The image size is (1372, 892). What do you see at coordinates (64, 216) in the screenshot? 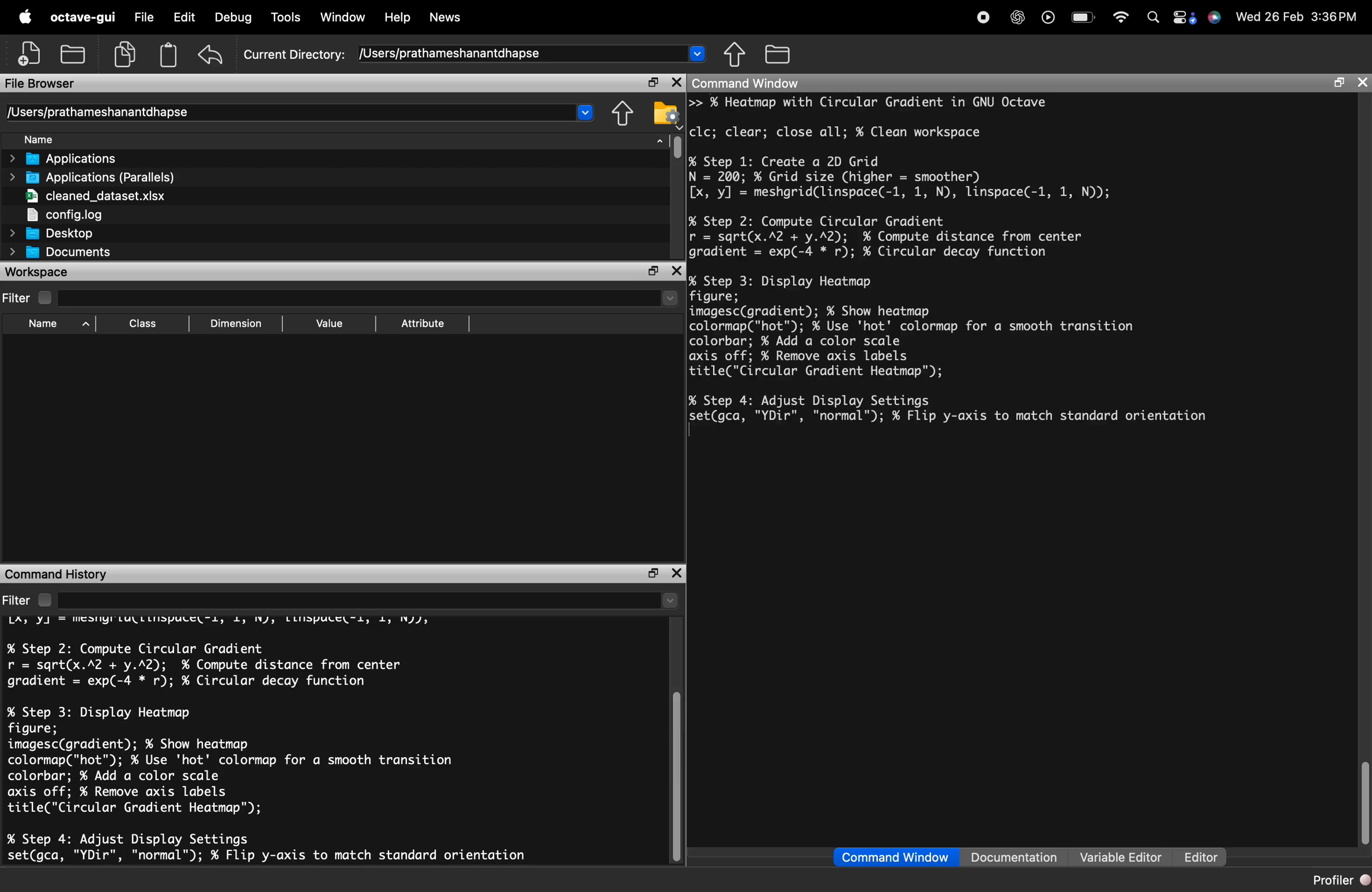
I see `config.log` at bounding box center [64, 216].